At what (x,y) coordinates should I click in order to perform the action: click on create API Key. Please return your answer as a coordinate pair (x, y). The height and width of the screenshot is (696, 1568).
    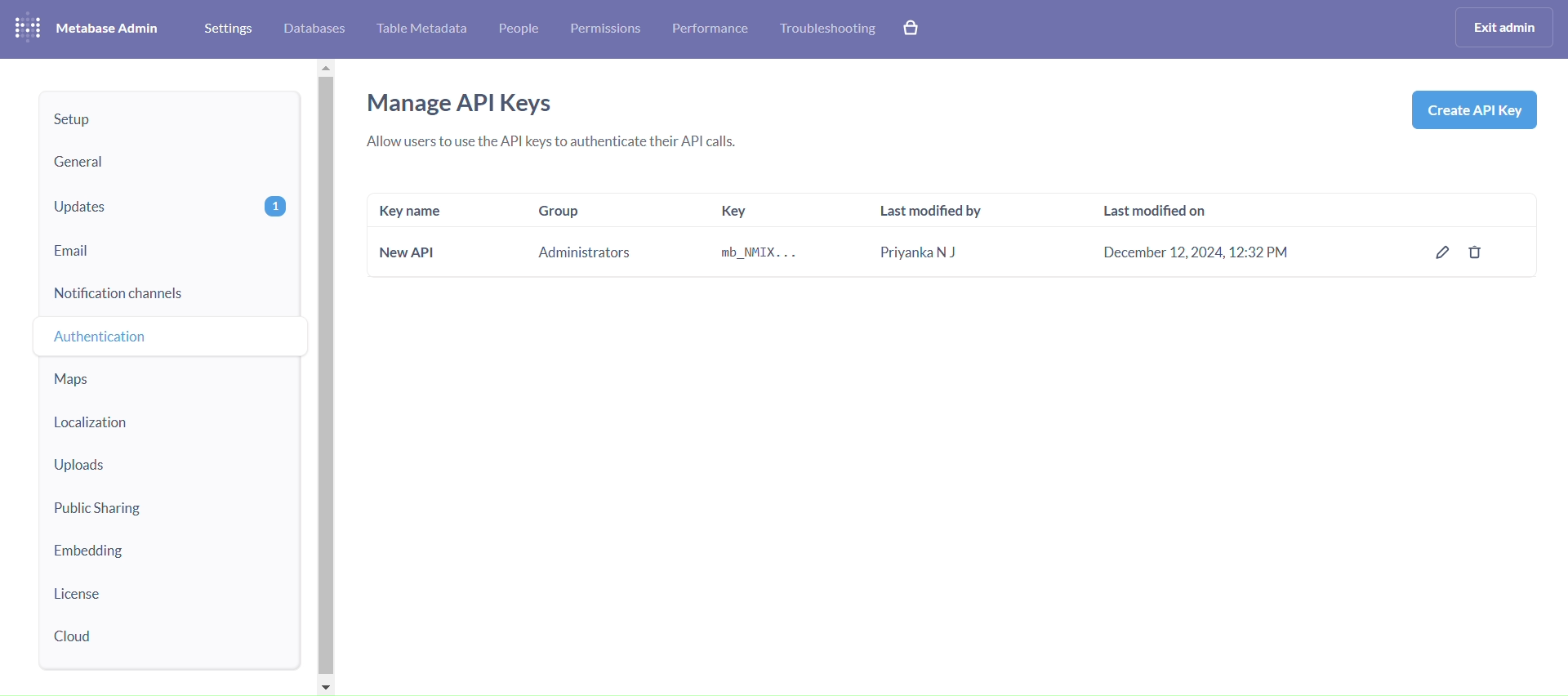
    Looking at the image, I should click on (1477, 109).